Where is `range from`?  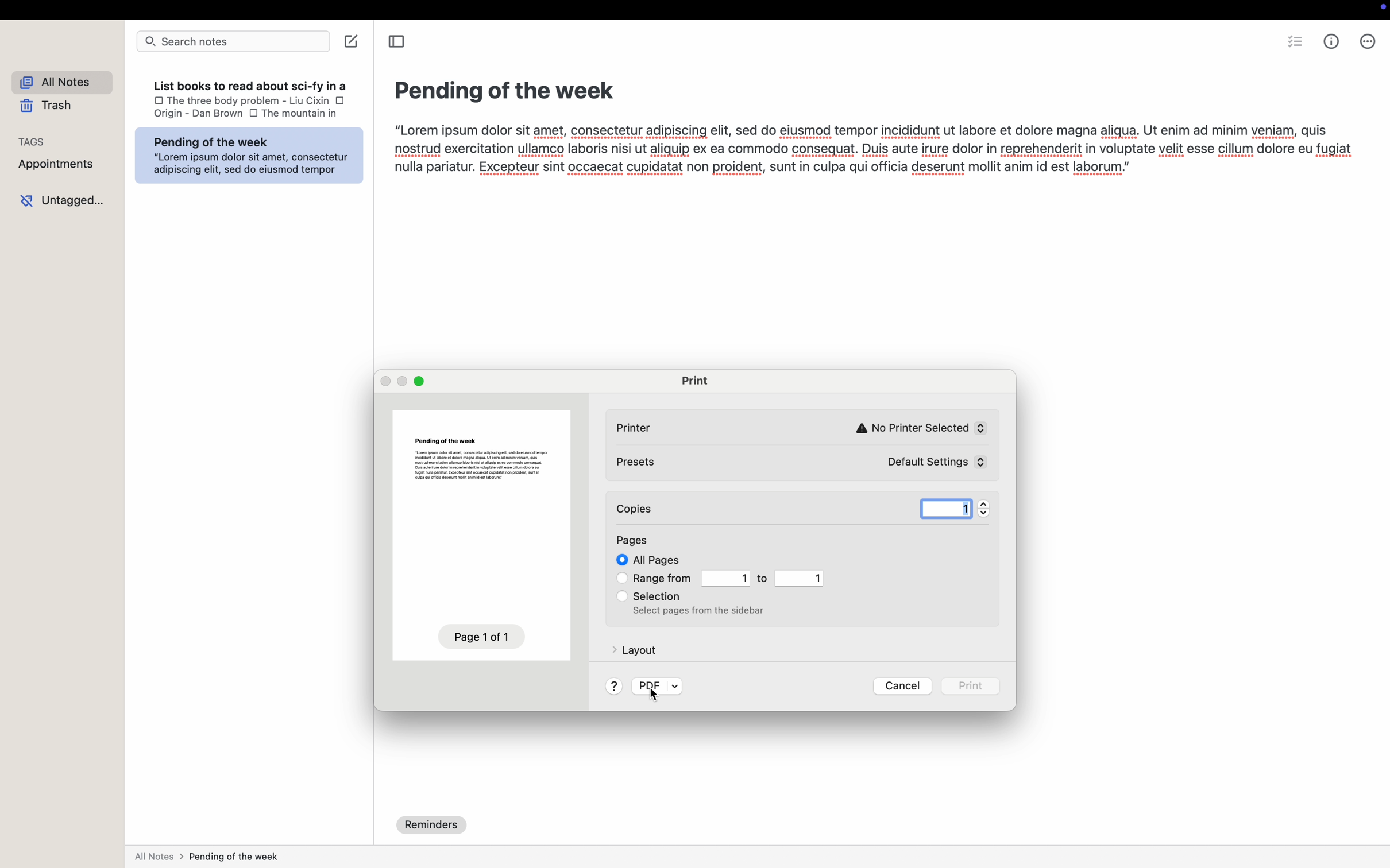 range from is located at coordinates (664, 578).